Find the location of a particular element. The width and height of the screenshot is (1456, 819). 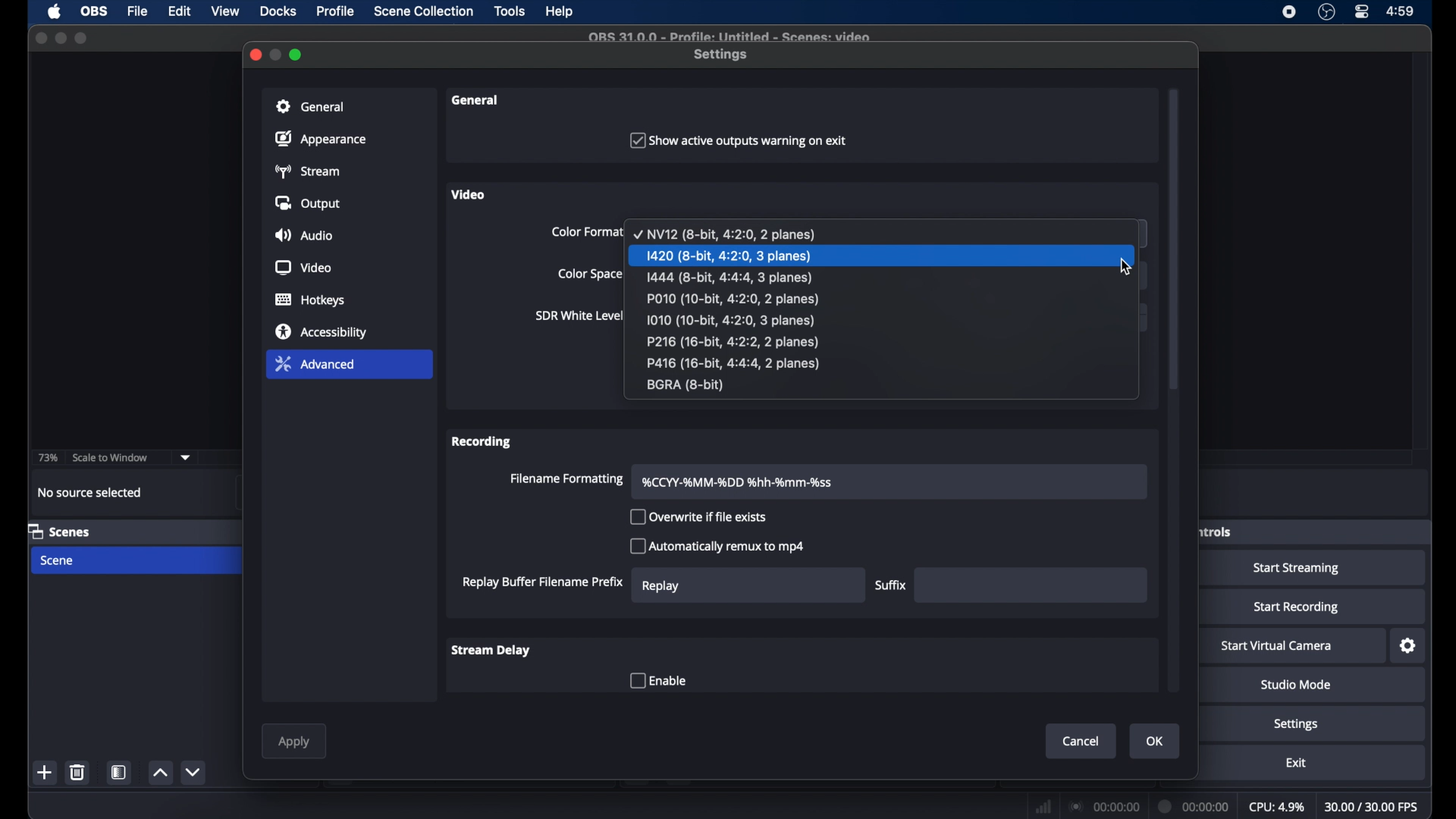

exit is located at coordinates (1296, 763).